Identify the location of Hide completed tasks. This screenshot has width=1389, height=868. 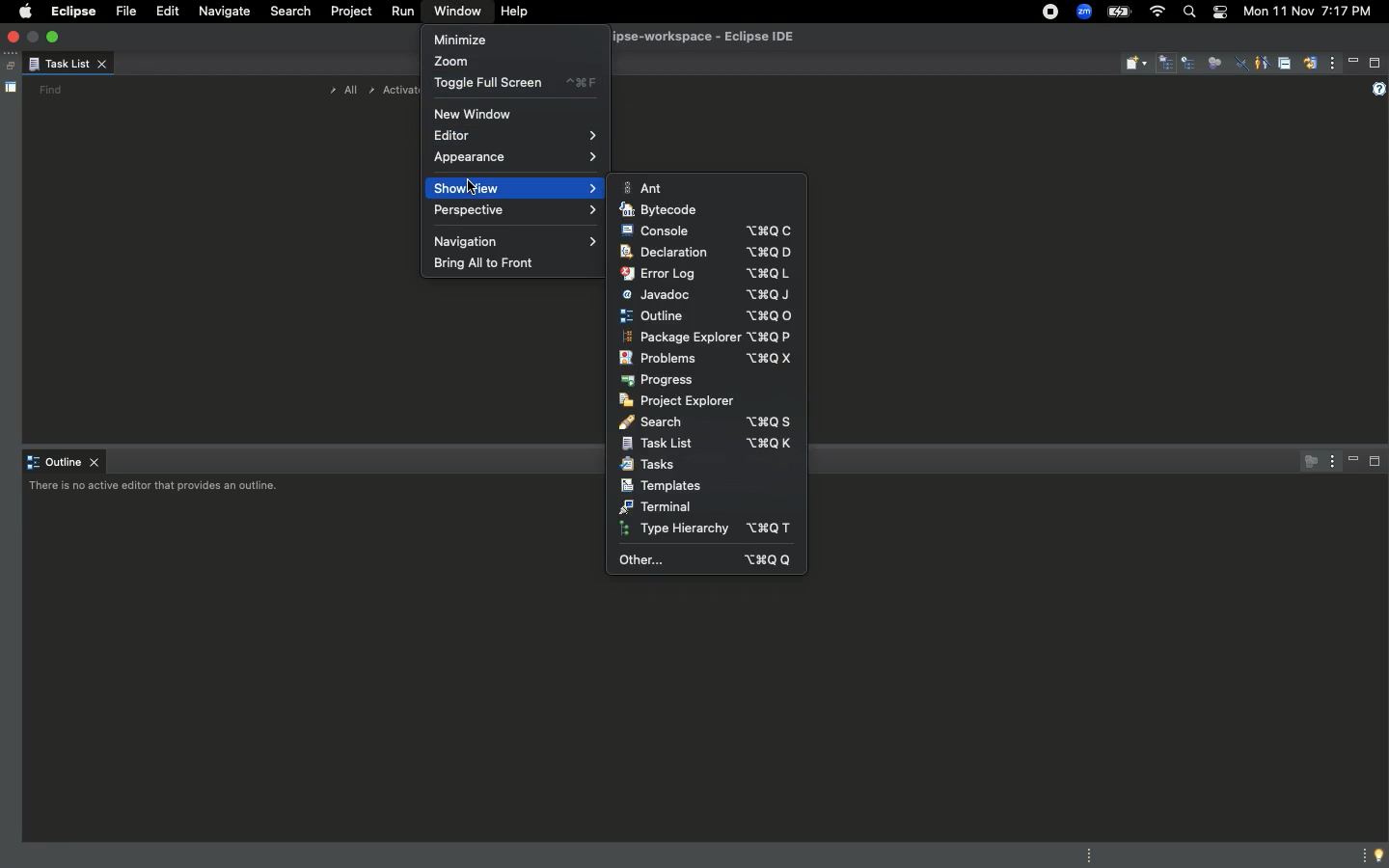
(1241, 66).